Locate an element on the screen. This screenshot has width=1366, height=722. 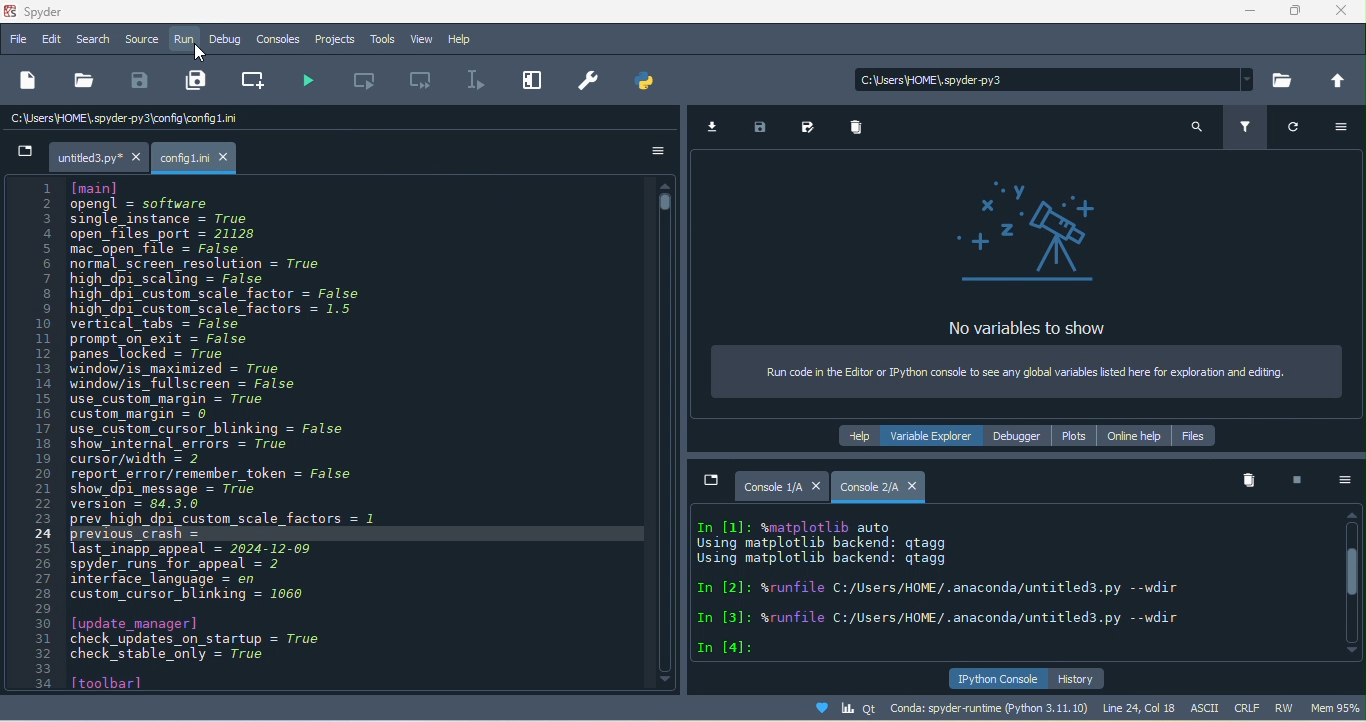
browse is located at coordinates (1281, 79).